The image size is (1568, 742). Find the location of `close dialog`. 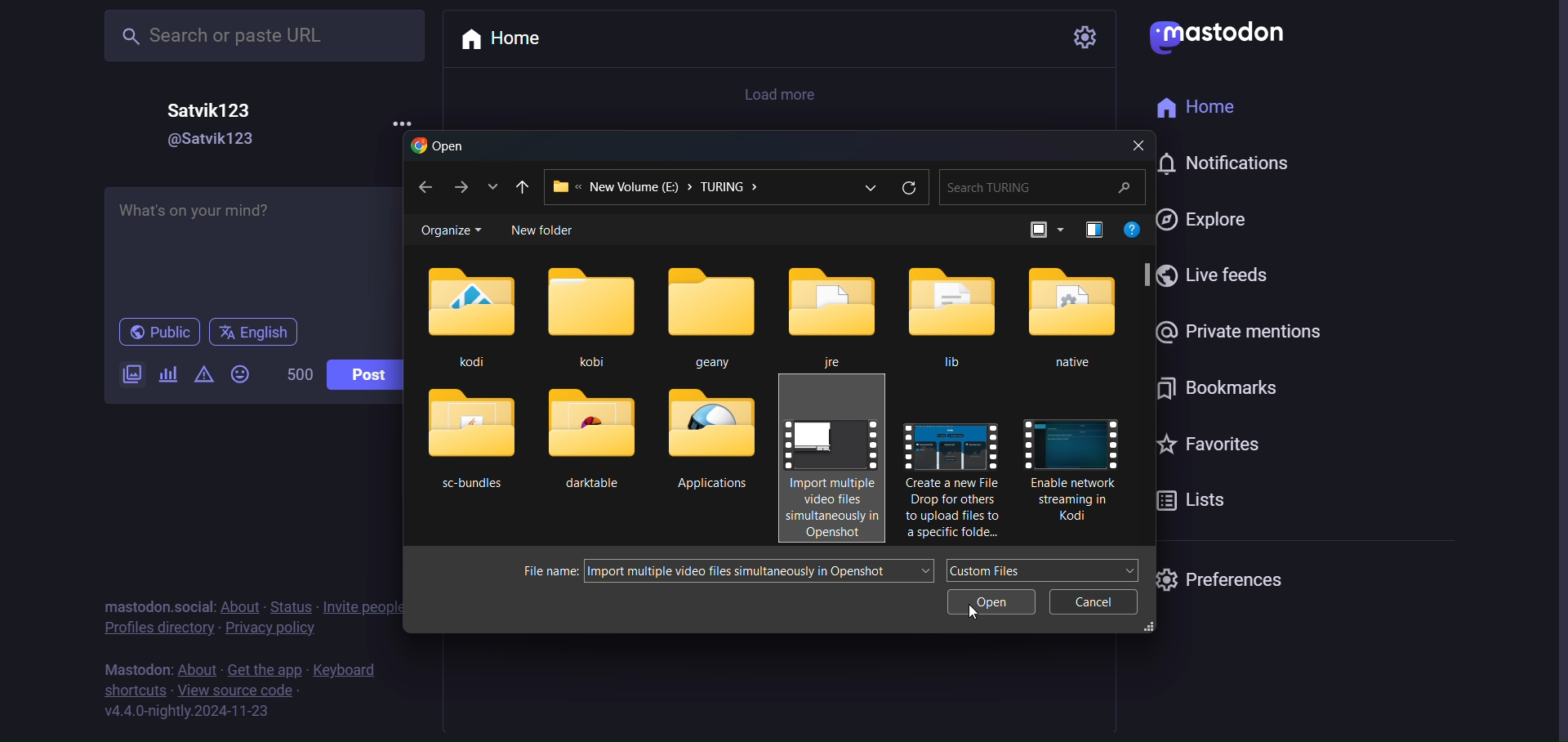

close dialog is located at coordinates (1135, 145).